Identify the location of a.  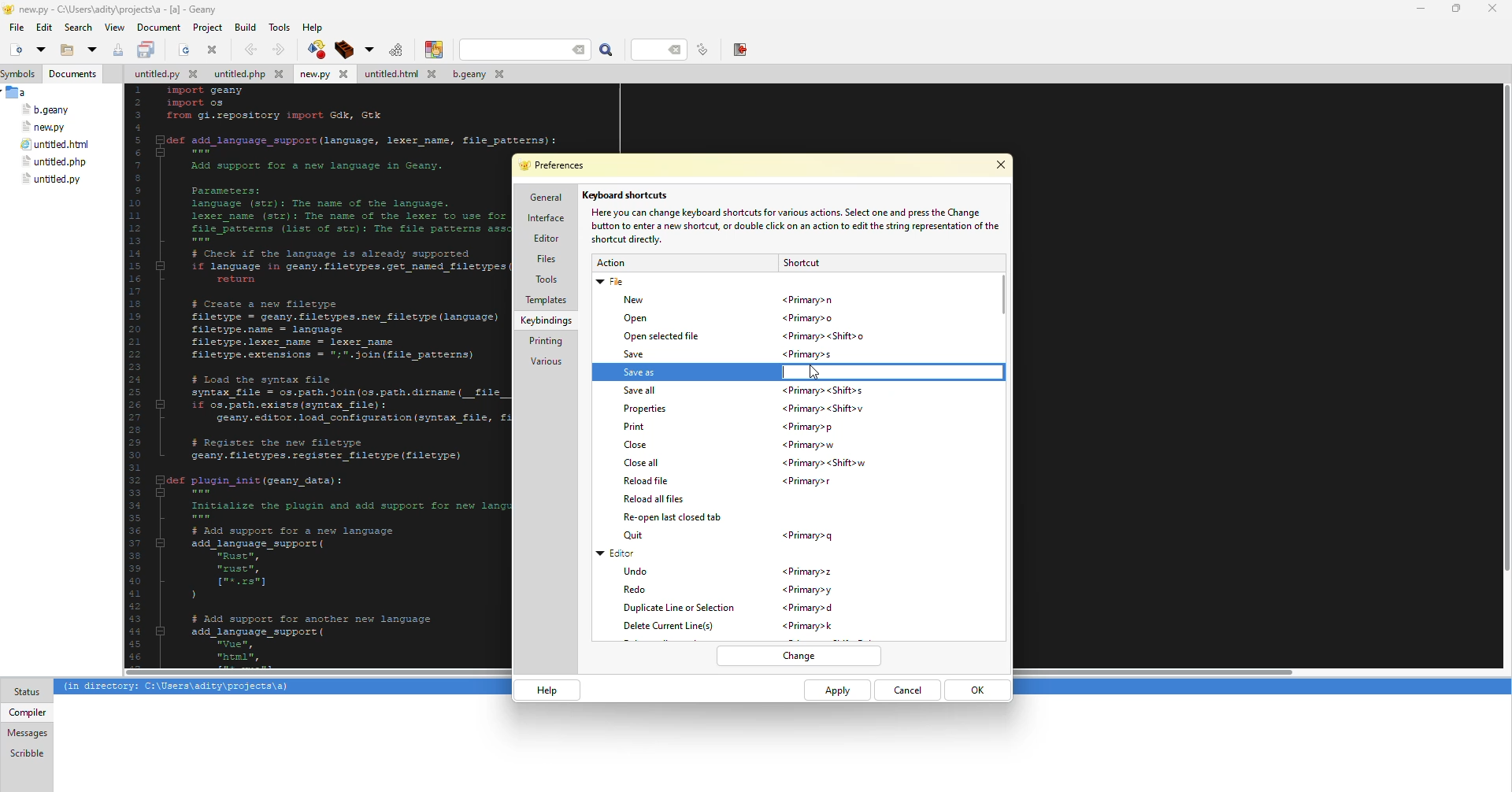
(18, 92).